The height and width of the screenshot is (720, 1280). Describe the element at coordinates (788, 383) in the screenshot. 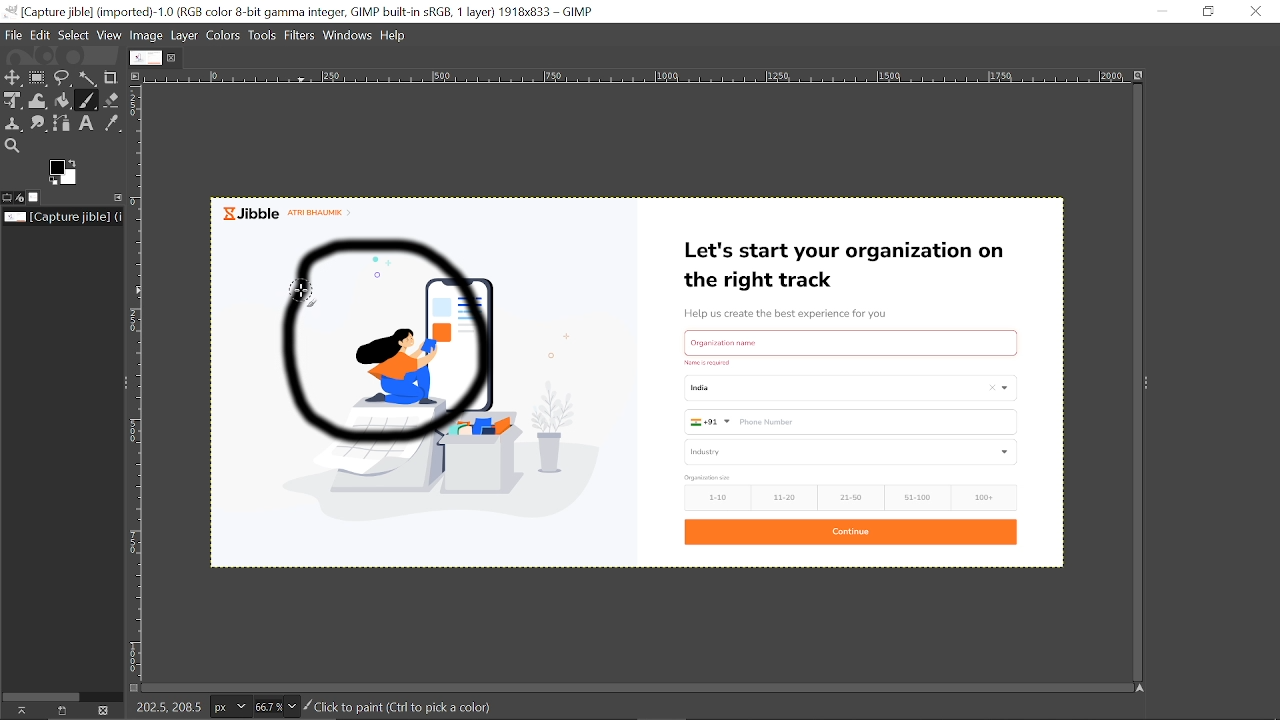

I see `Currently opened omage` at that location.